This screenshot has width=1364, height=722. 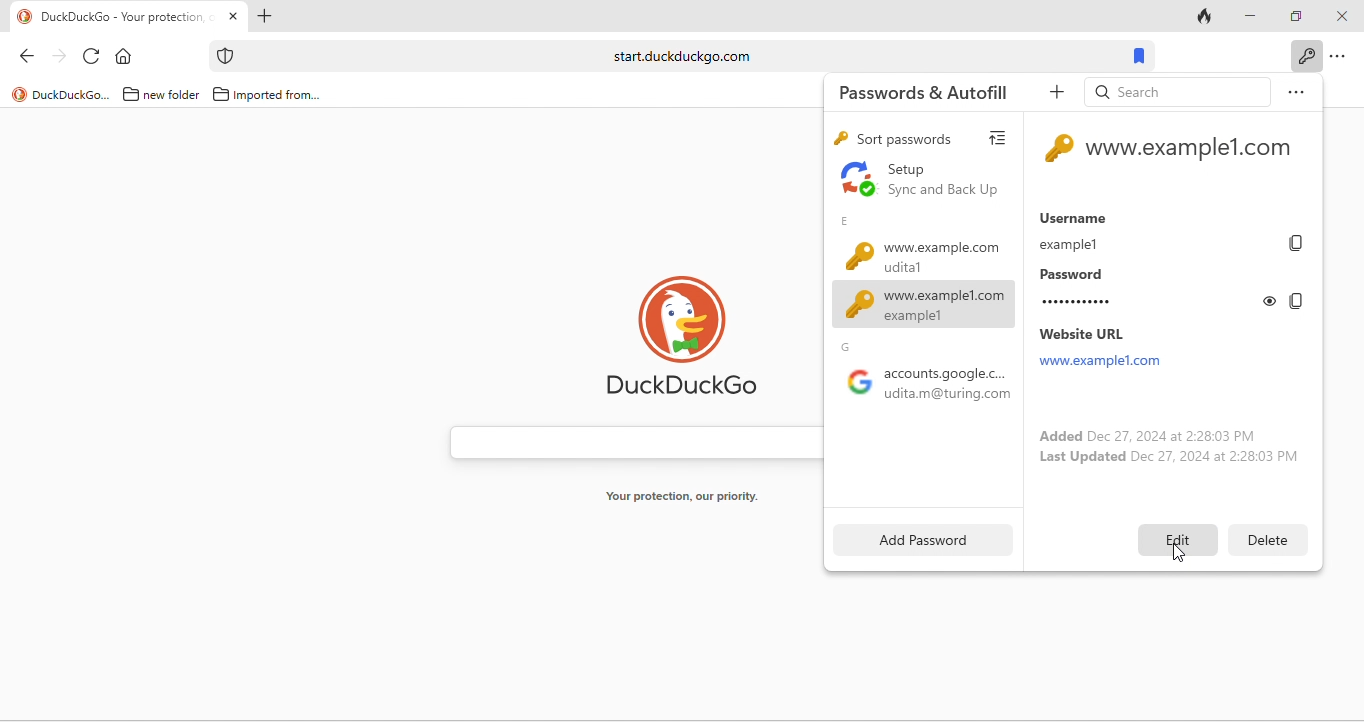 I want to click on minimize, so click(x=1247, y=14).